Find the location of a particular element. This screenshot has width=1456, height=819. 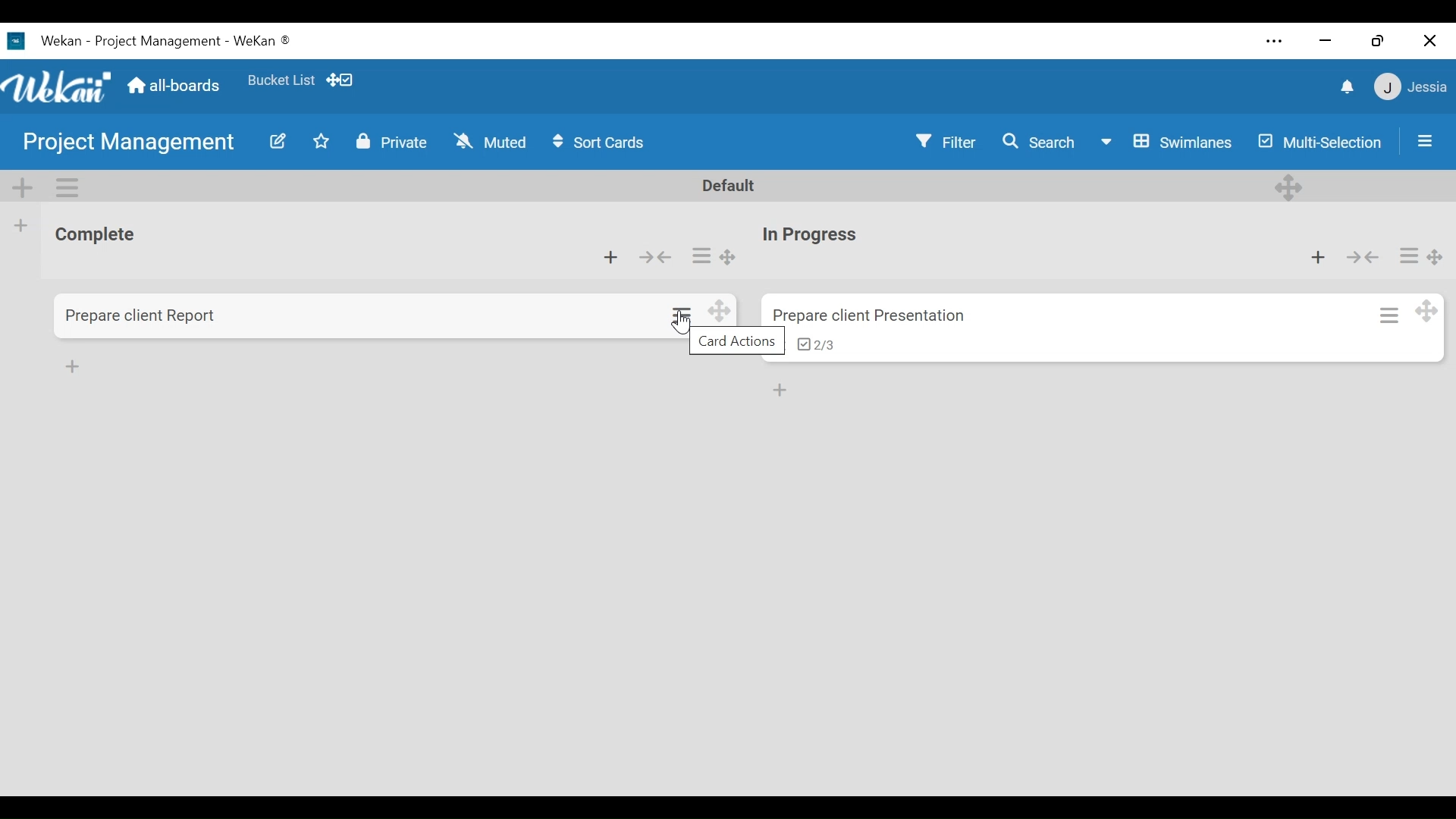

Card actions is located at coordinates (684, 317).